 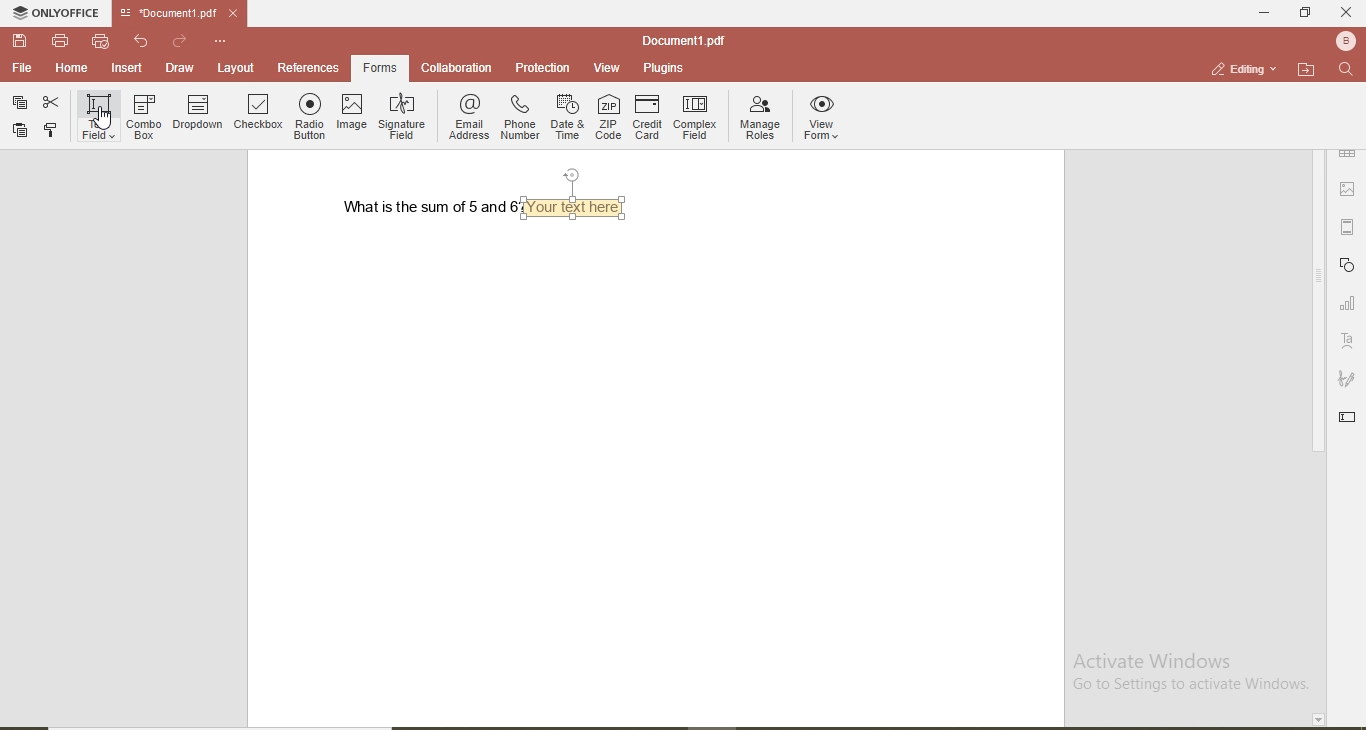 What do you see at coordinates (178, 70) in the screenshot?
I see `draw` at bounding box center [178, 70].